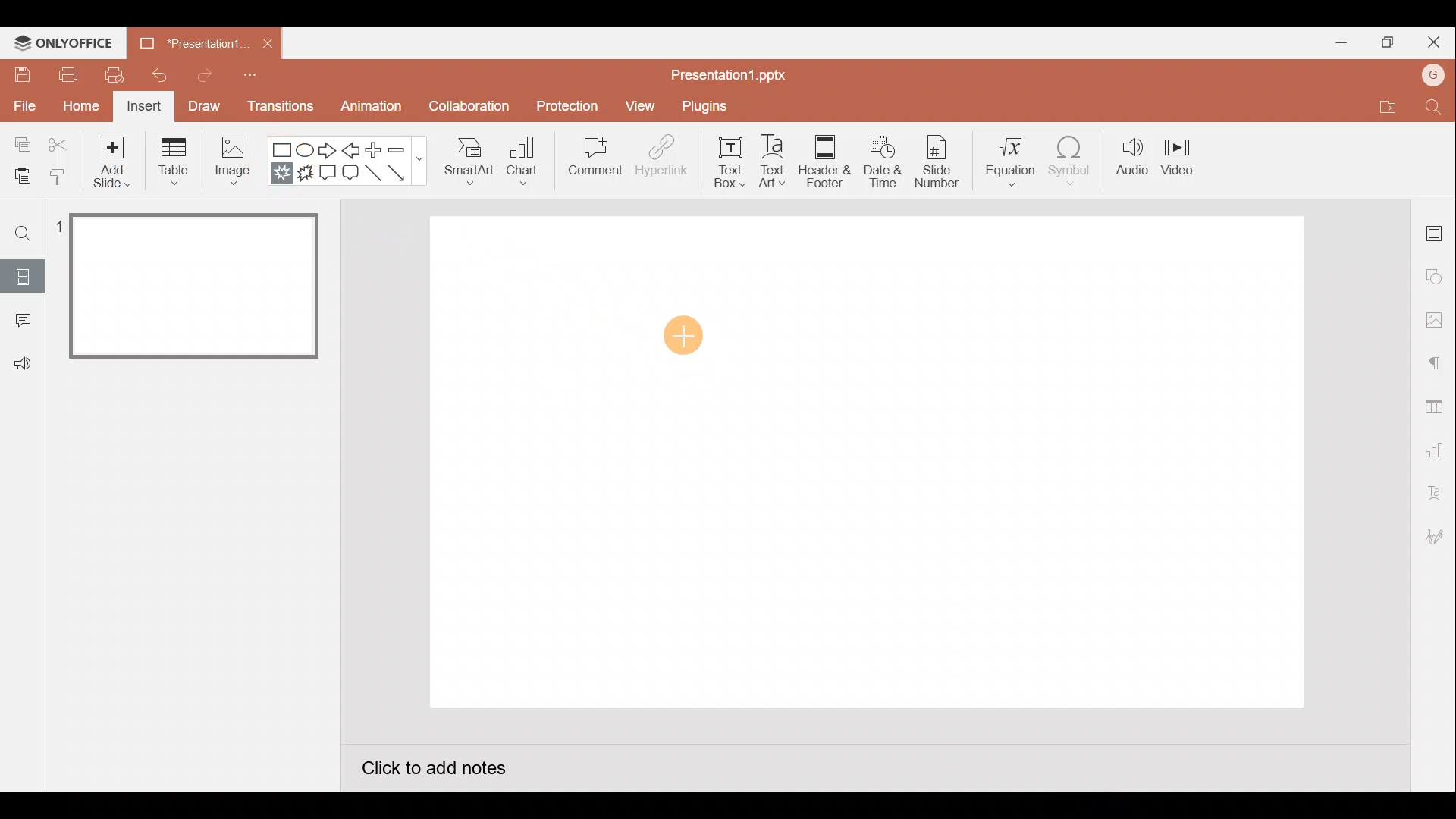  What do you see at coordinates (372, 150) in the screenshot?
I see `Plus` at bounding box center [372, 150].